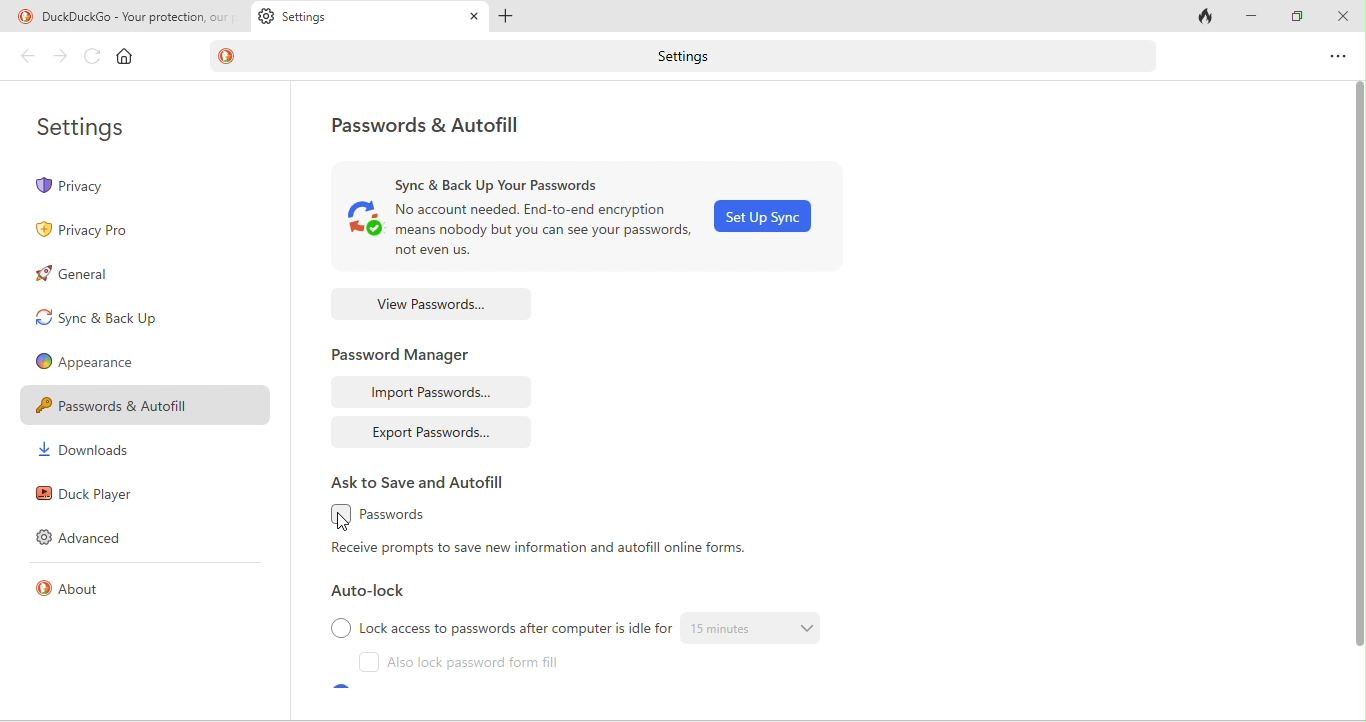 Image resolution: width=1366 pixels, height=722 pixels. I want to click on settings, so click(683, 59).